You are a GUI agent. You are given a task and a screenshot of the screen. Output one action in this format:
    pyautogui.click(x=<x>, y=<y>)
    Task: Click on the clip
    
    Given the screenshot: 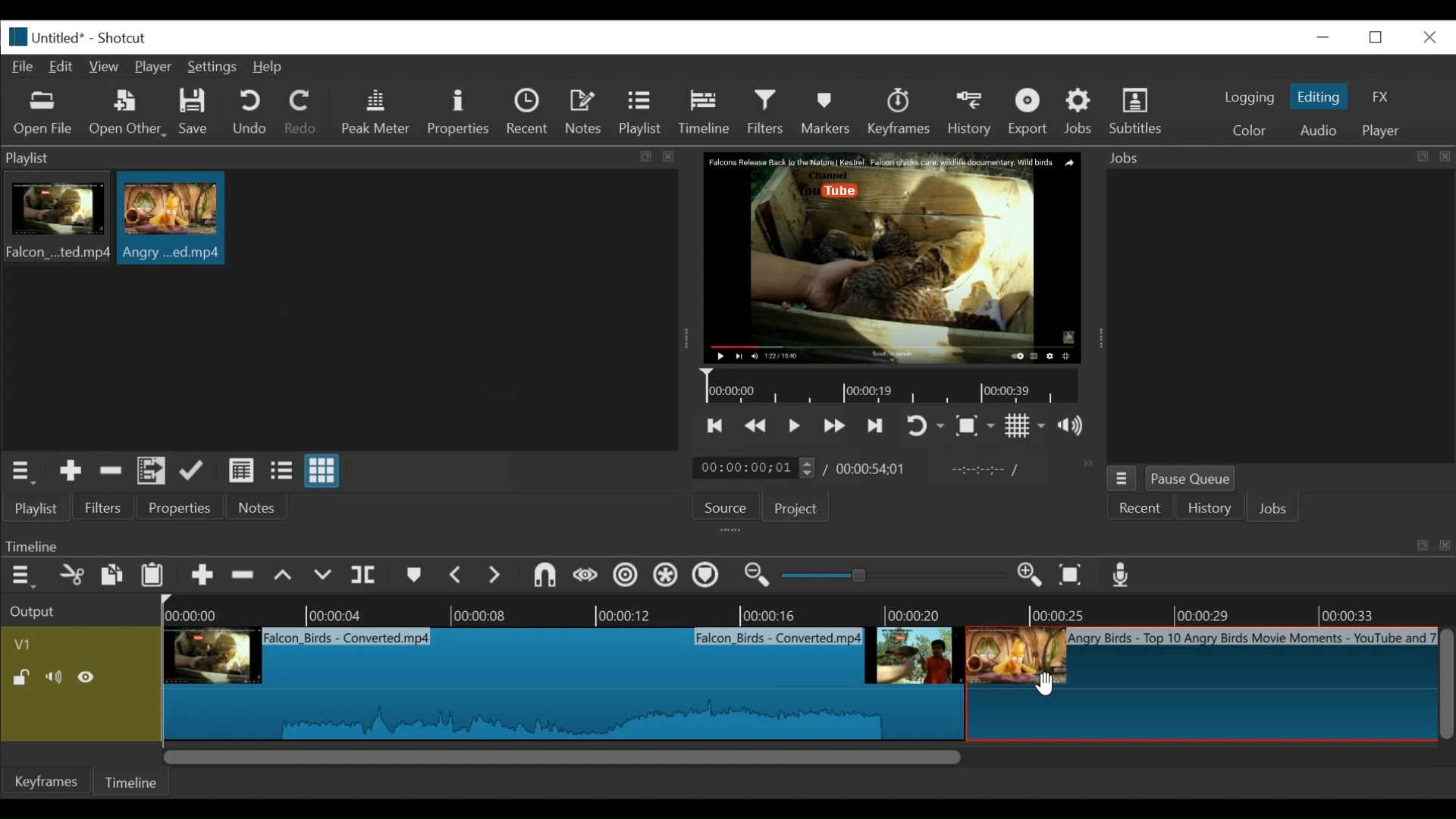 What is the action you would take?
    pyautogui.click(x=560, y=683)
    